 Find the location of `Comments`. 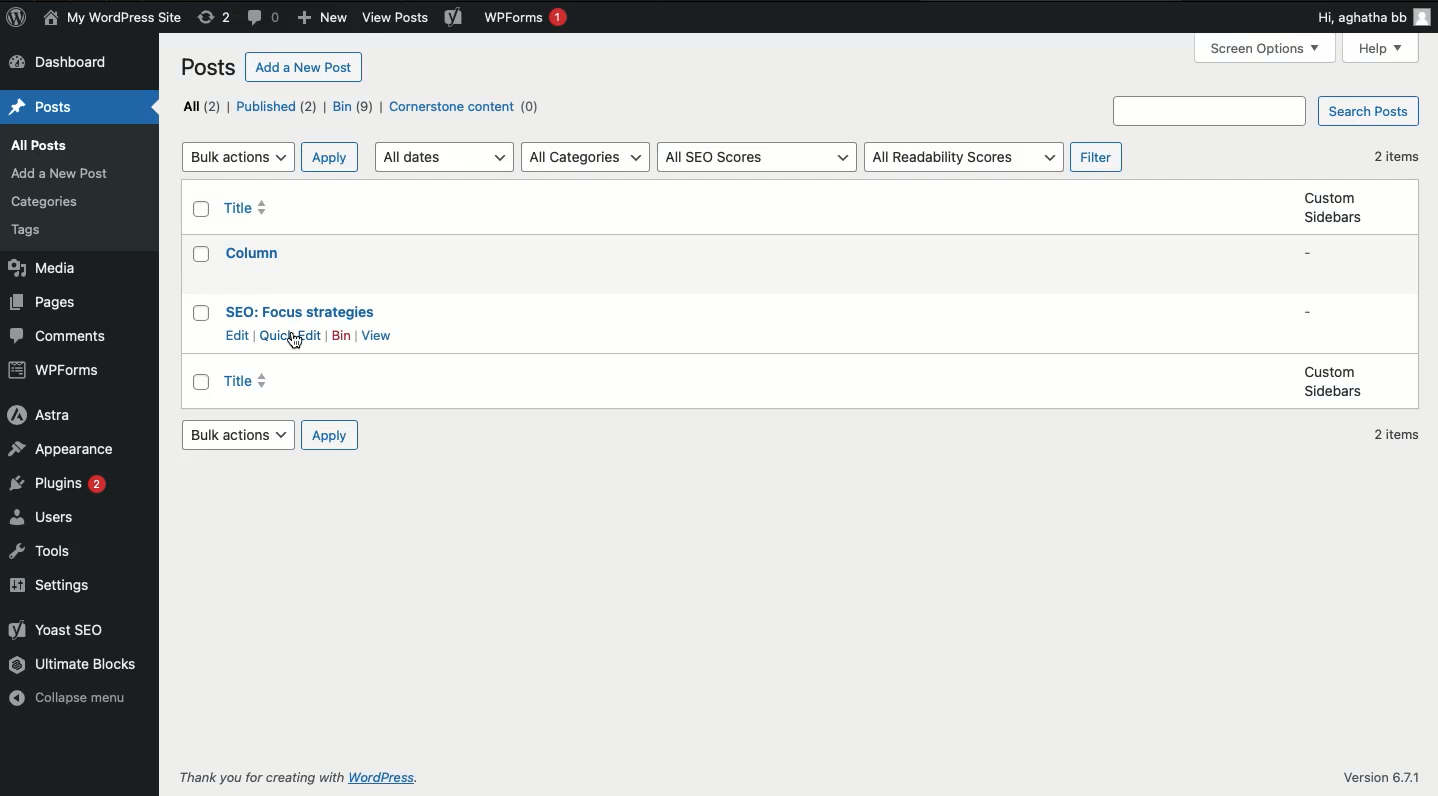

Comments is located at coordinates (57, 336).